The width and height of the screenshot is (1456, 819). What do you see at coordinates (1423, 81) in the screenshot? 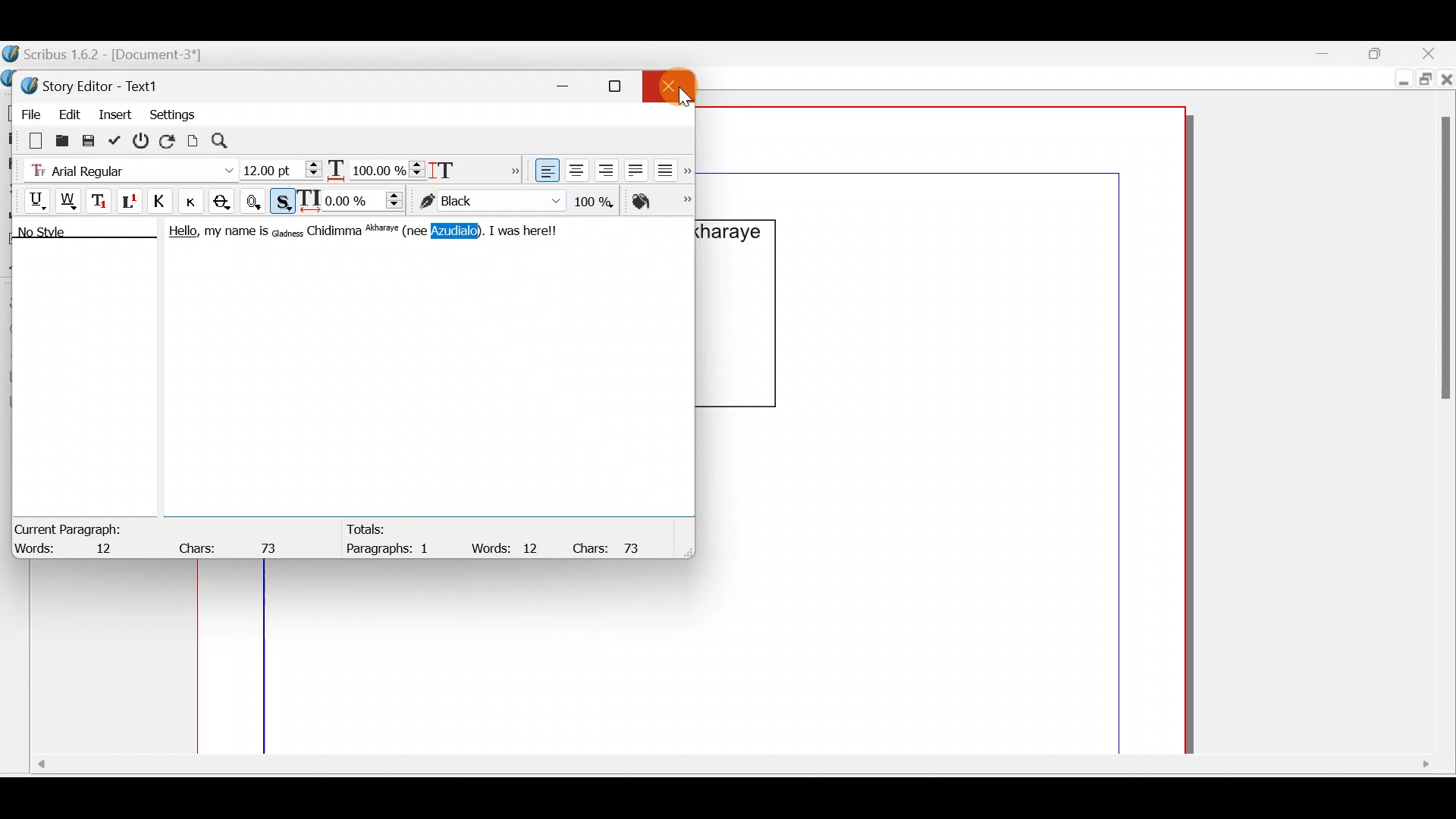
I see `Maximize` at bounding box center [1423, 81].